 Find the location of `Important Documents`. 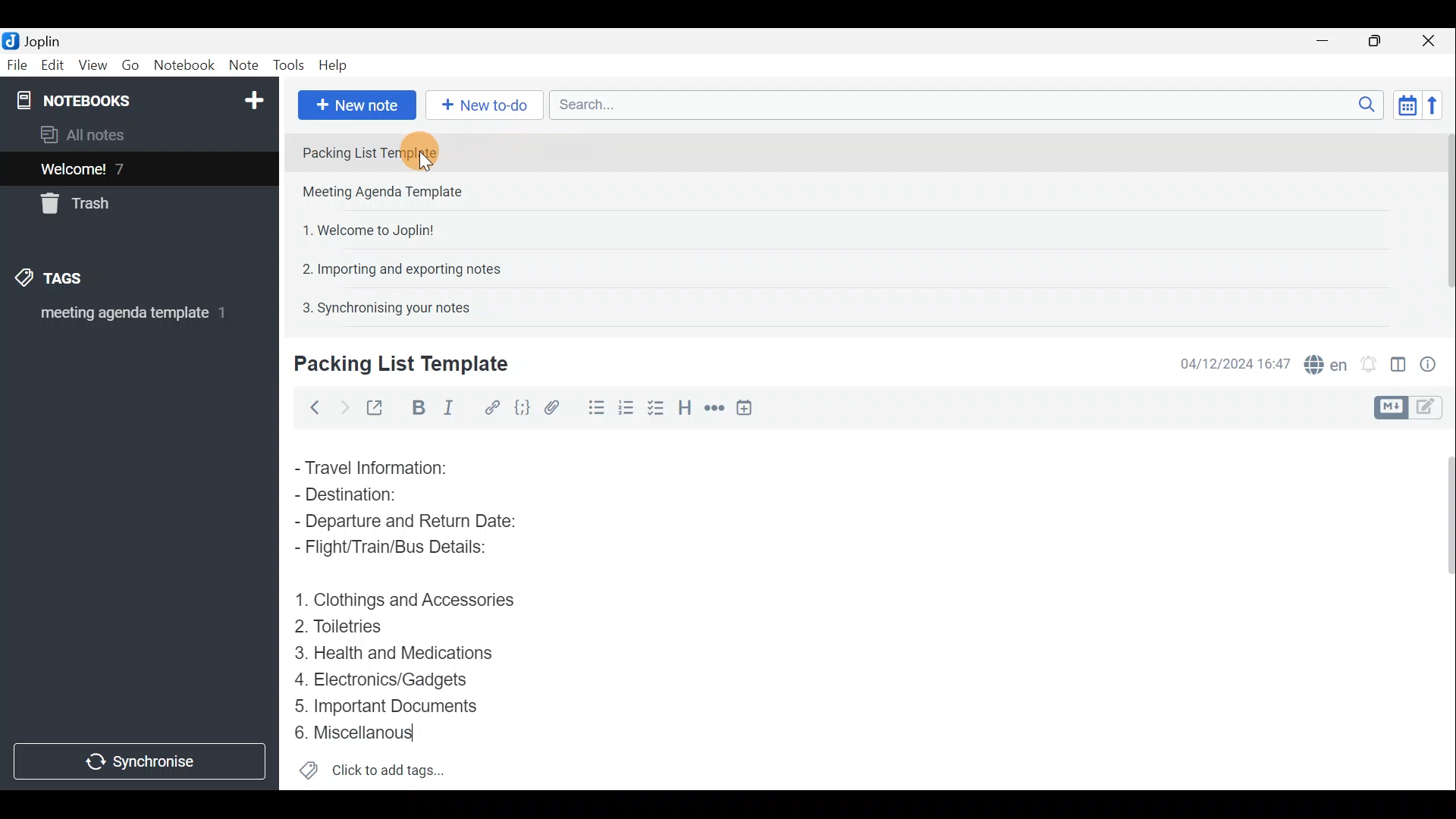

Important Documents is located at coordinates (390, 705).